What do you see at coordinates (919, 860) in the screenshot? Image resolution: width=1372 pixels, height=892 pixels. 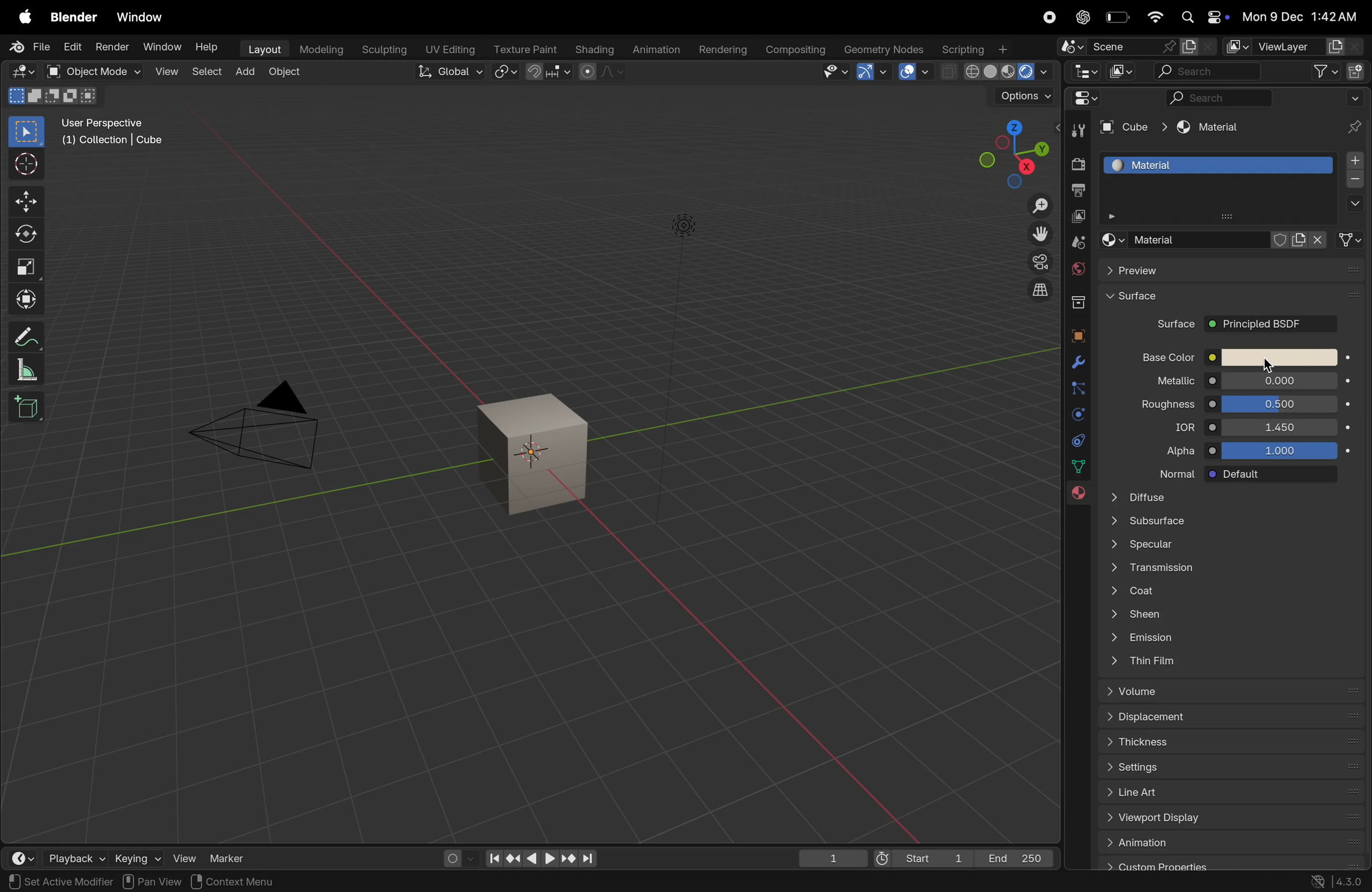 I see `Start1` at bounding box center [919, 860].